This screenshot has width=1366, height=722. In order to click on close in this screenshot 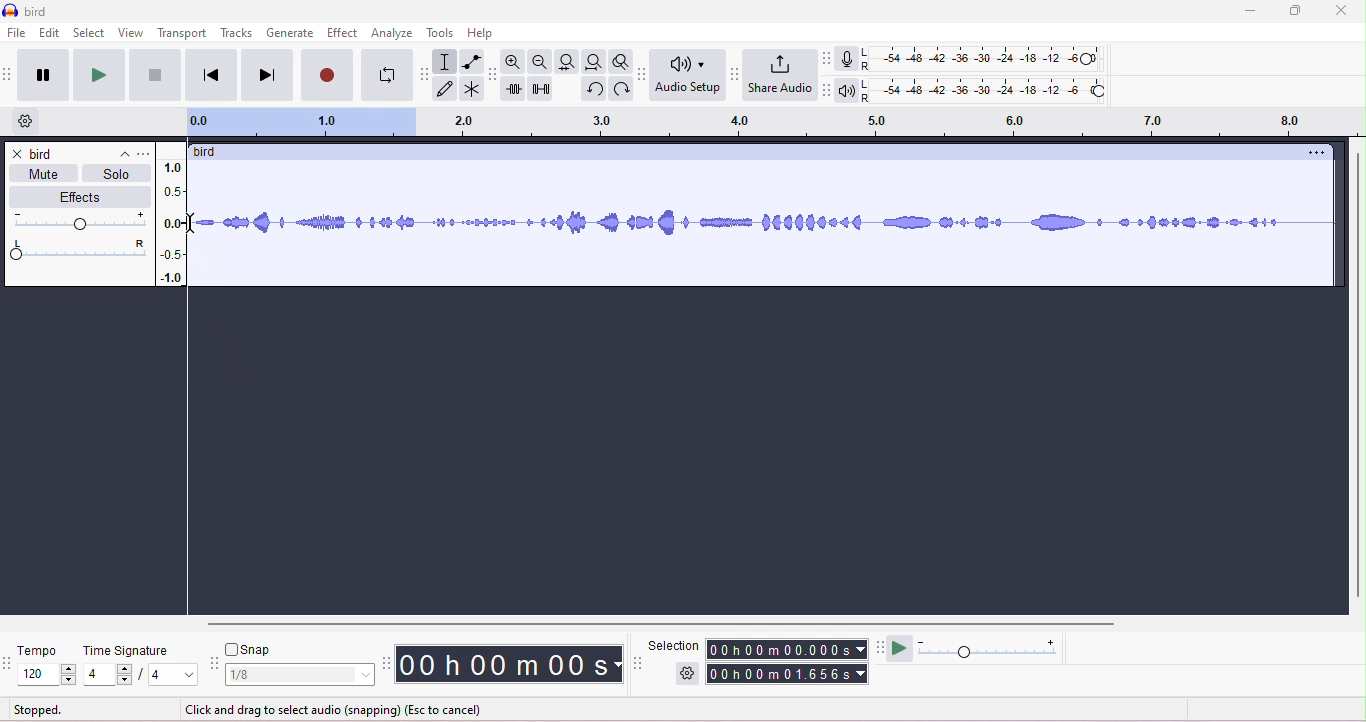, I will do `click(1340, 10)`.